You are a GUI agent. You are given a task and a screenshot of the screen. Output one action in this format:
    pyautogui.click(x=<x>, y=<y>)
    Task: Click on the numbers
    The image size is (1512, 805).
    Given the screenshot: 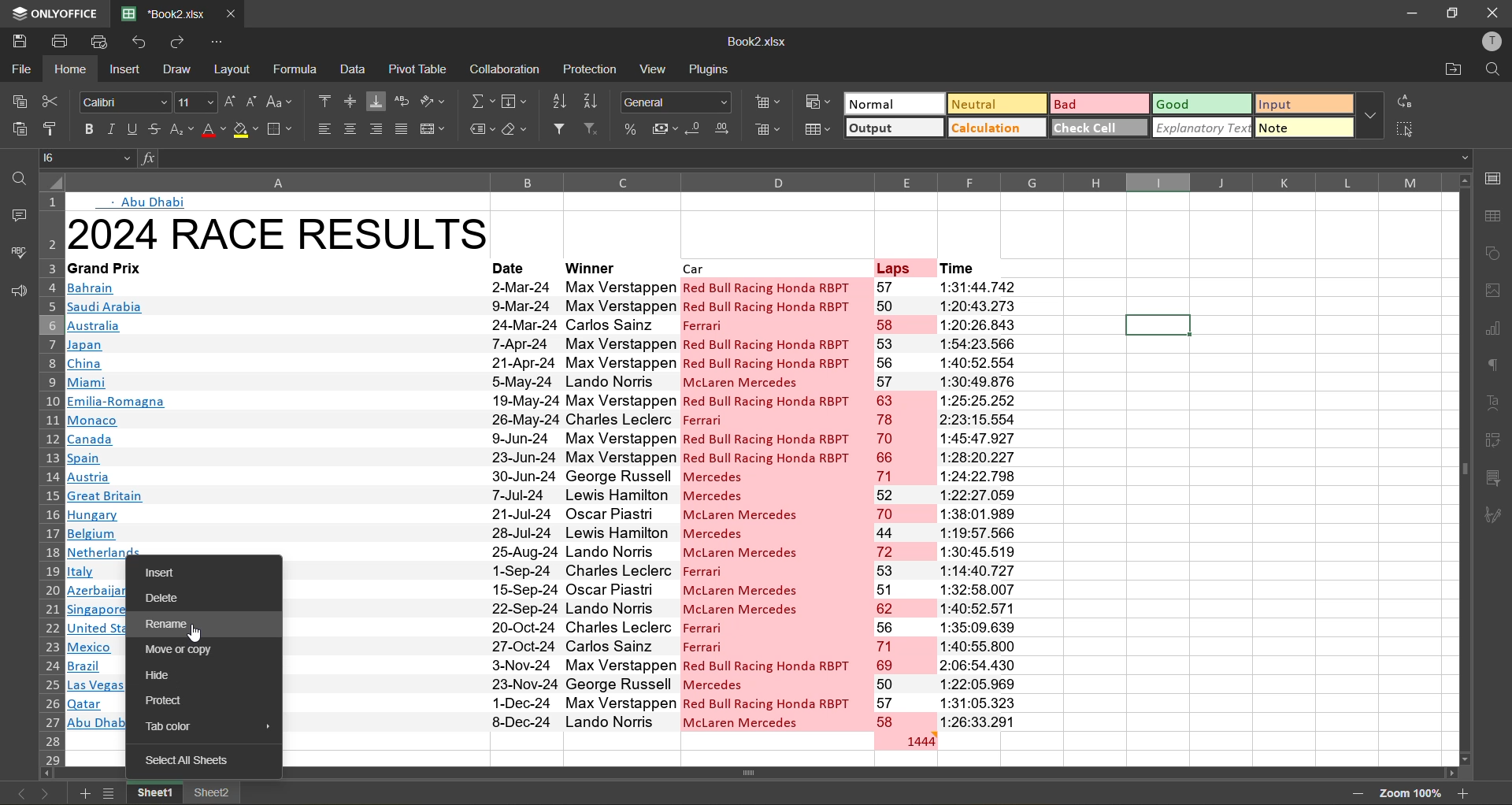 What is the action you would take?
    pyautogui.click(x=903, y=503)
    